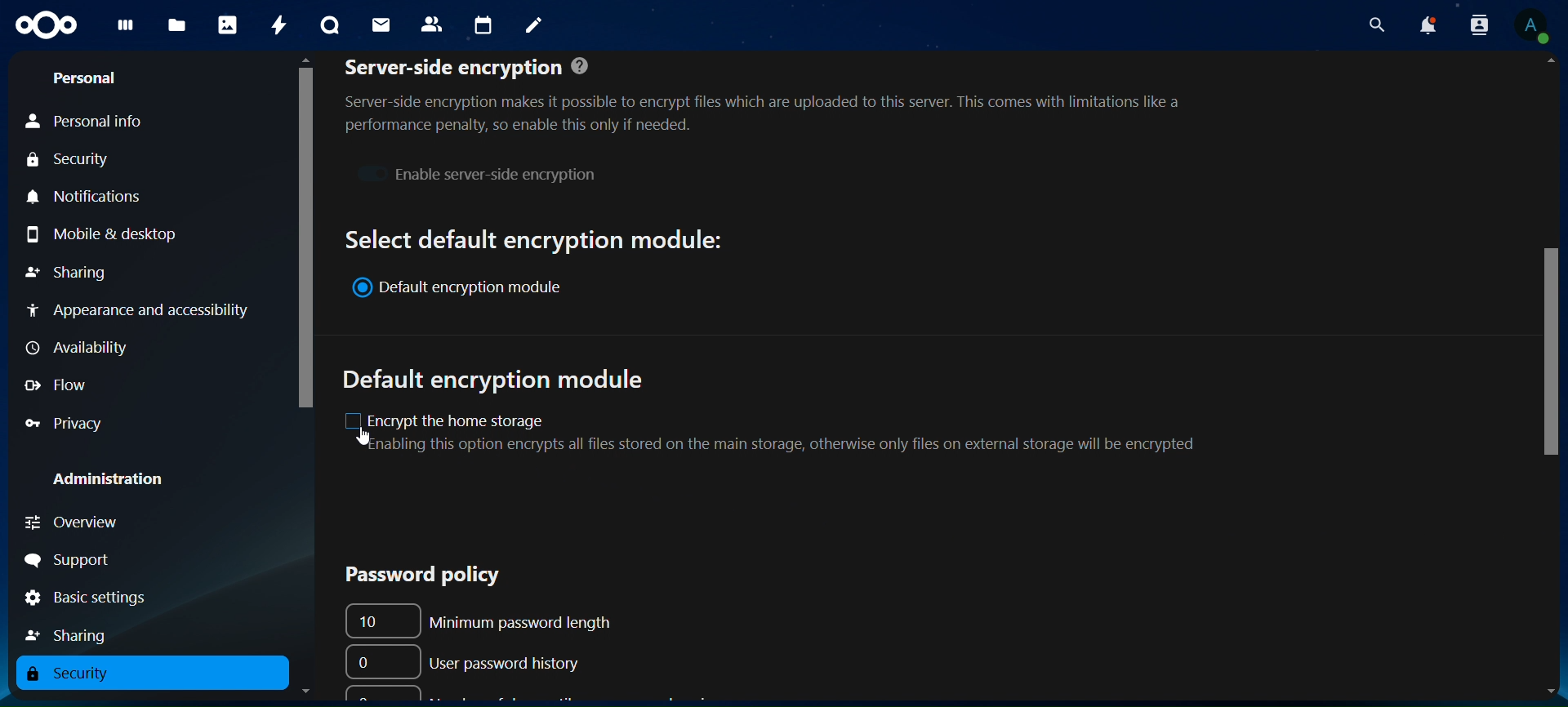 The width and height of the screenshot is (1568, 707). I want to click on photos, so click(227, 24).